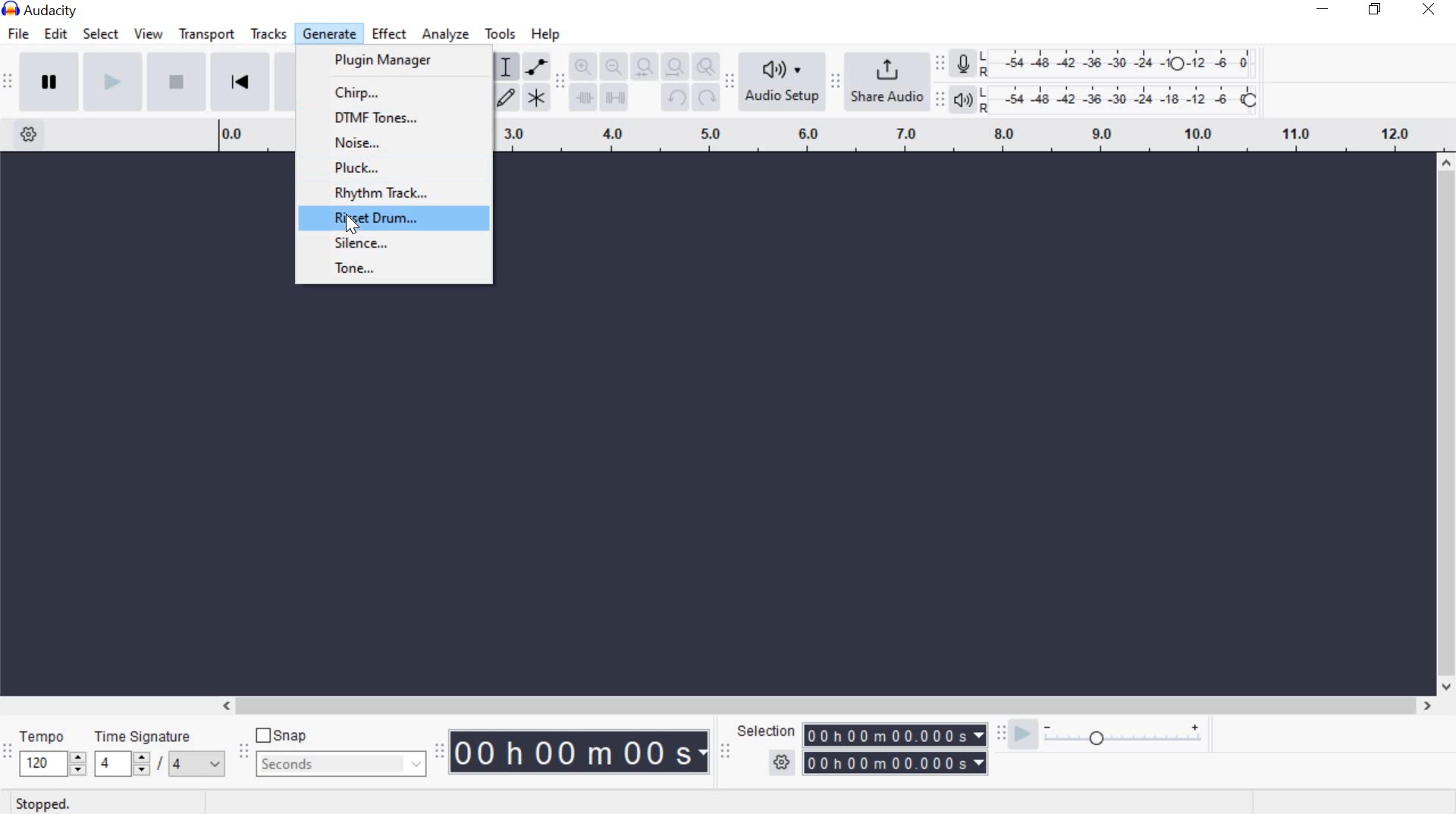 Image resolution: width=1456 pixels, height=814 pixels. I want to click on undo, so click(675, 99).